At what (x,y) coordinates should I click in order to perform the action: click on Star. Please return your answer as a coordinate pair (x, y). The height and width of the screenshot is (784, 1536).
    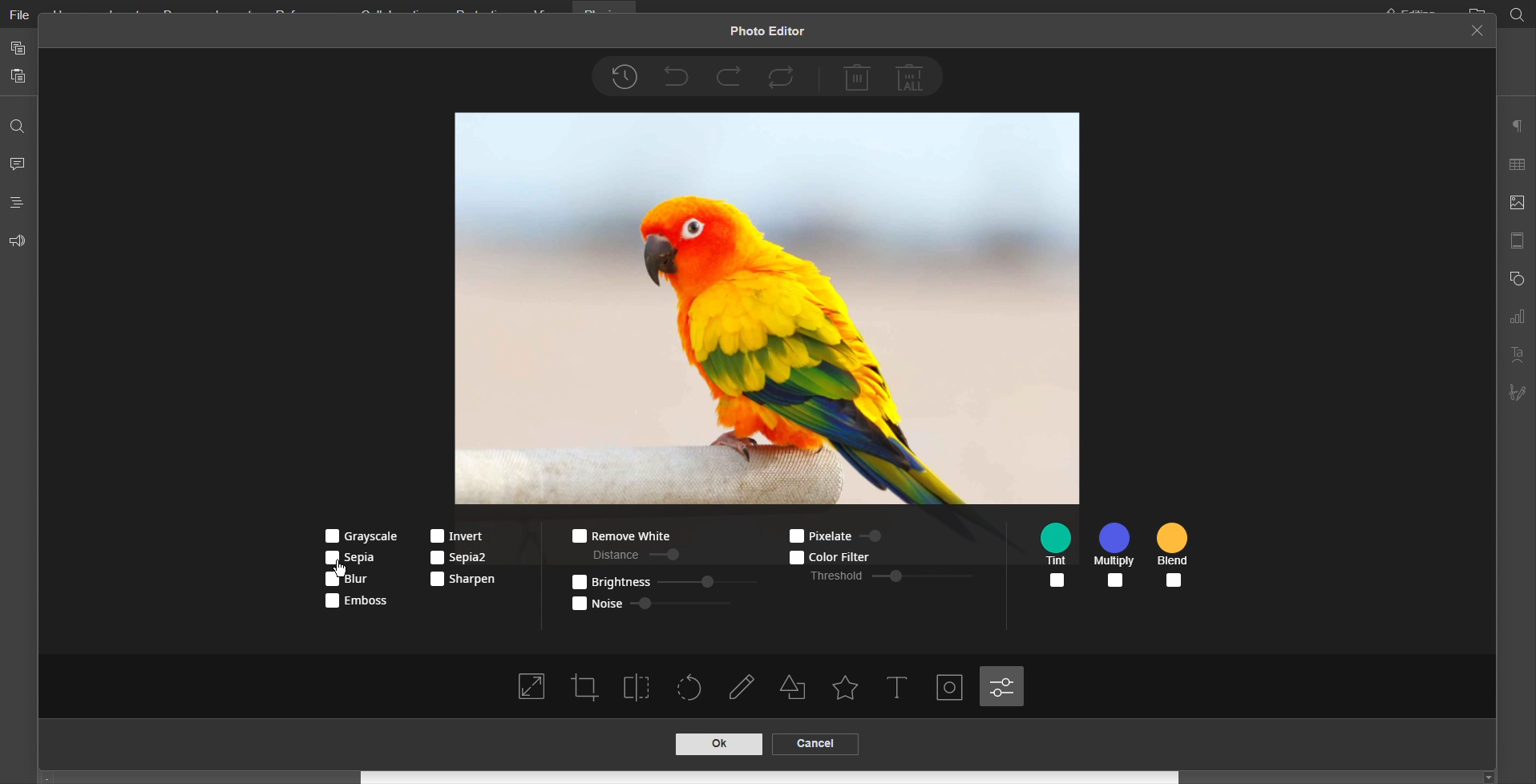
    Looking at the image, I should click on (845, 689).